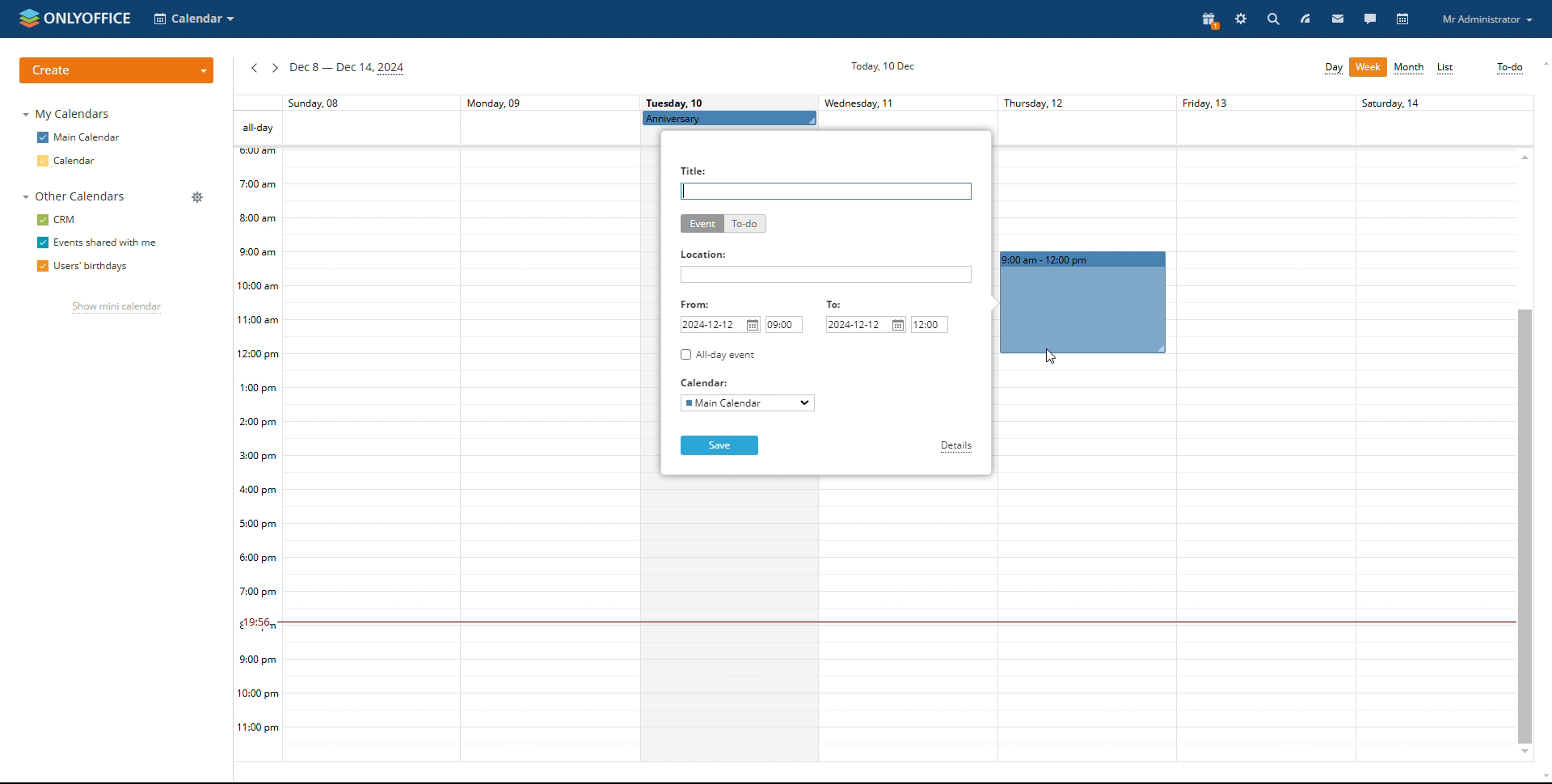 Image resolution: width=1552 pixels, height=784 pixels. I want to click on add title, so click(825, 192).